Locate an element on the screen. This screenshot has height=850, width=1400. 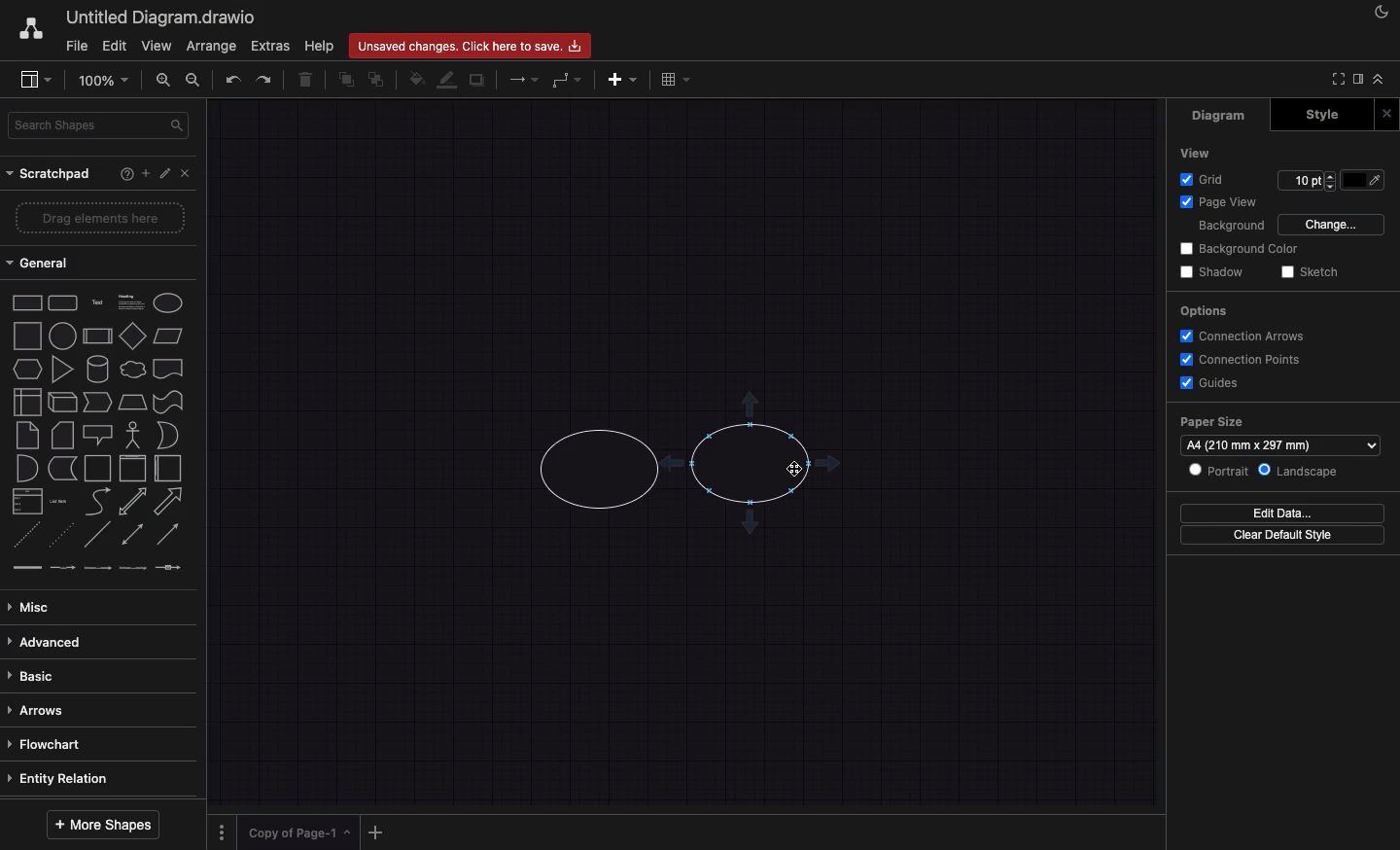
fill color is located at coordinates (414, 80).